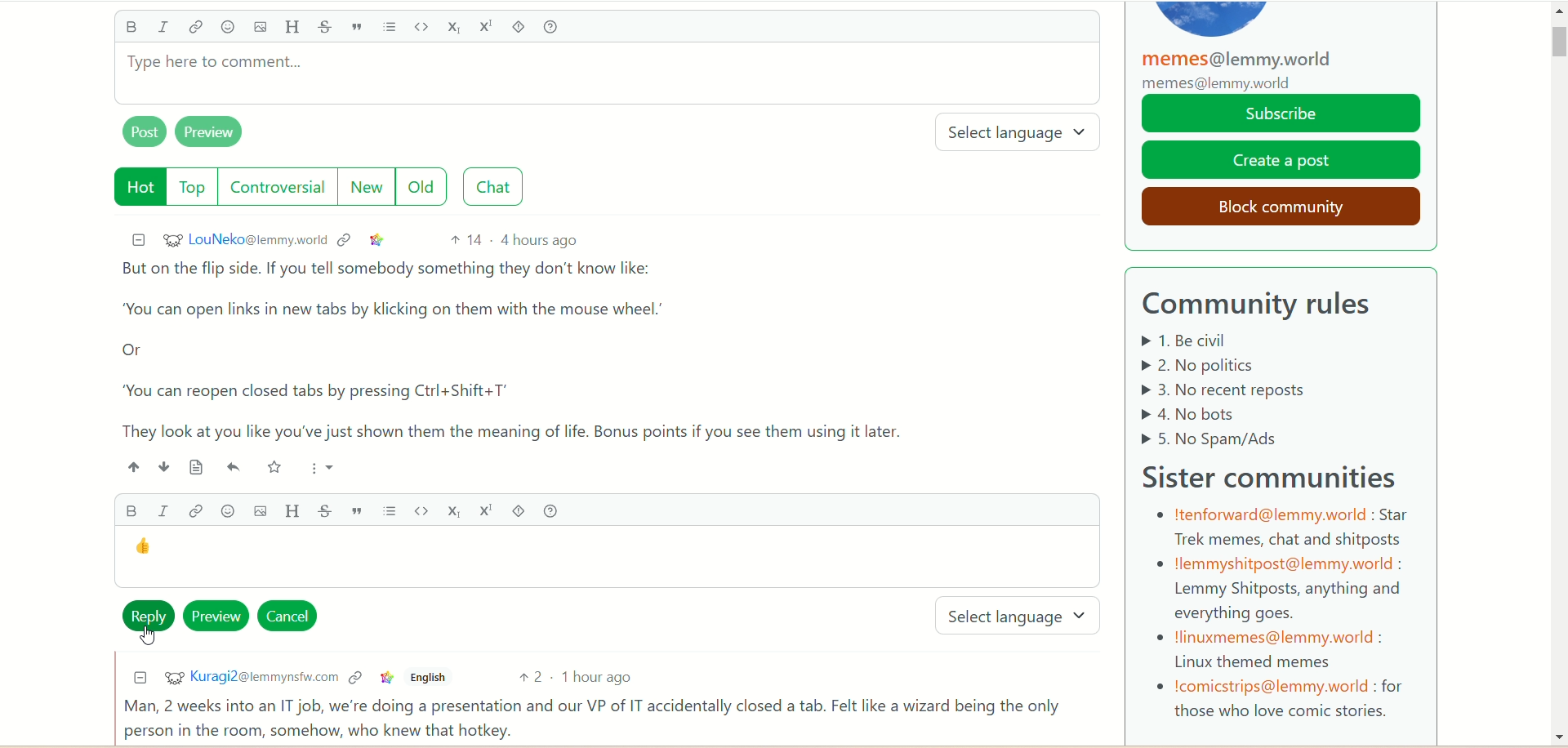 This screenshot has height=748, width=1568. Describe the element at coordinates (317, 465) in the screenshot. I see `more` at that location.